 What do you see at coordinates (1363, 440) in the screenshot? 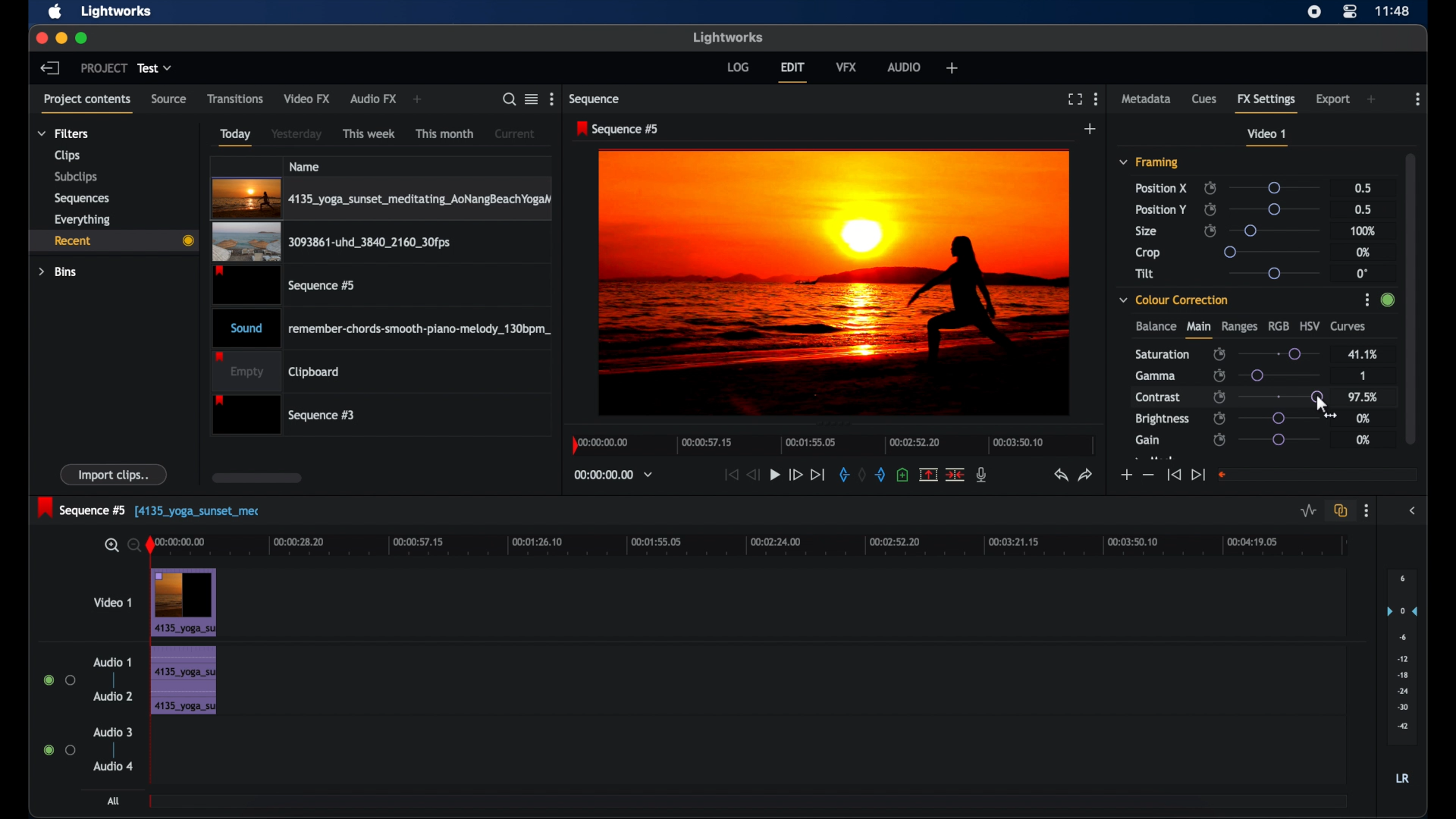
I see `0%` at bounding box center [1363, 440].